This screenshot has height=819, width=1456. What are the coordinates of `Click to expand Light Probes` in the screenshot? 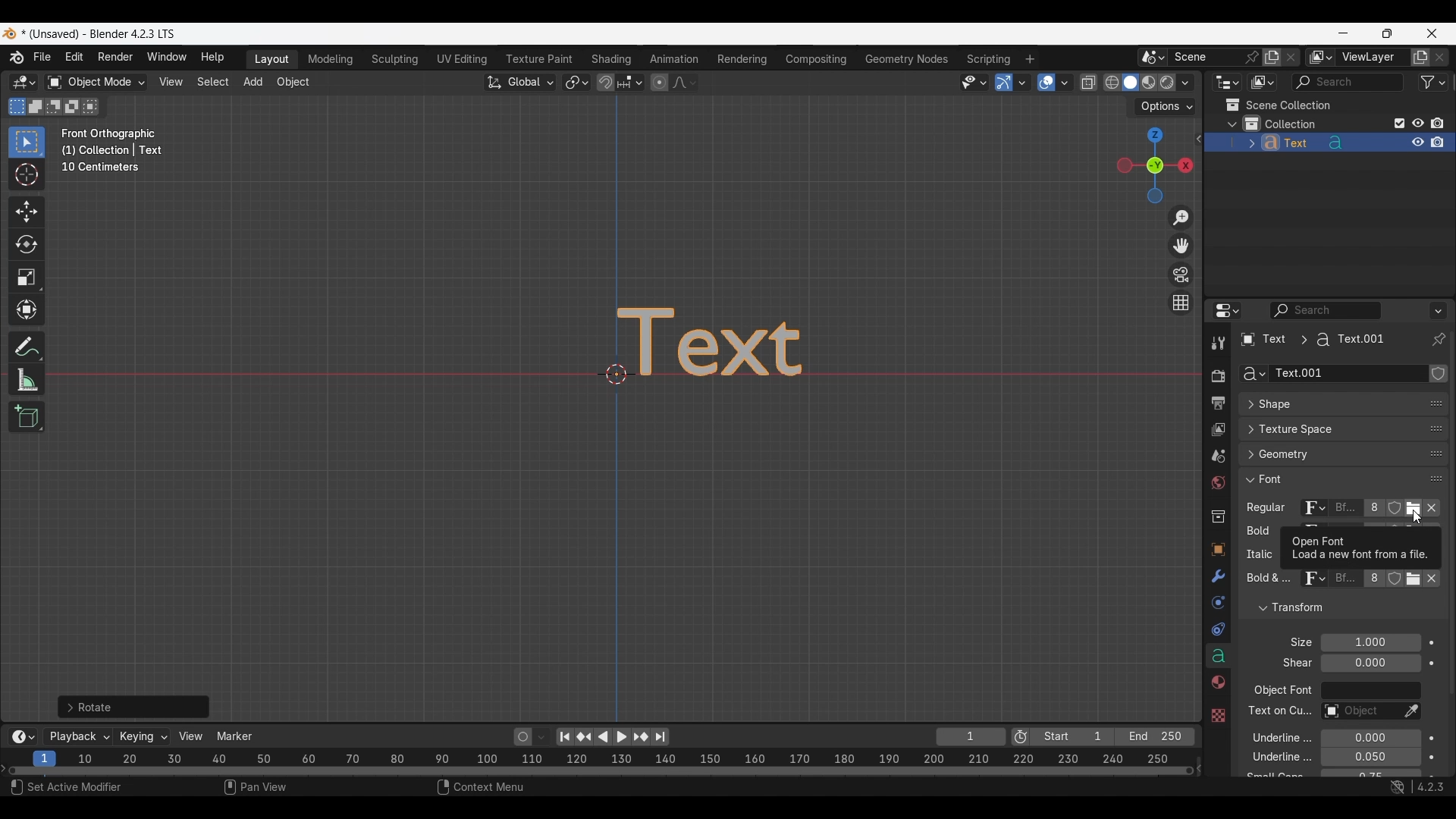 It's located at (1291, 642).